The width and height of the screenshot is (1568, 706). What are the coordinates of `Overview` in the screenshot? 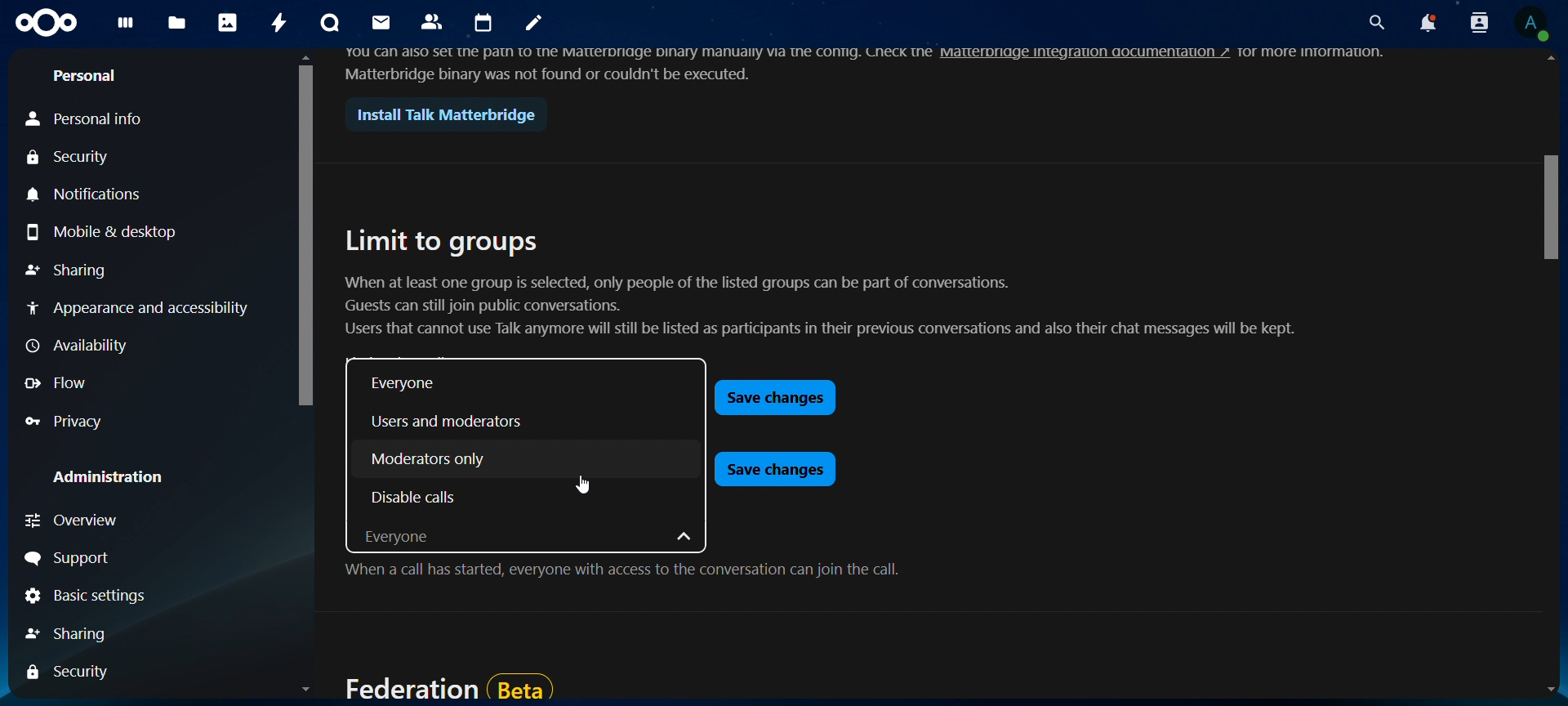 It's located at (149, 521).